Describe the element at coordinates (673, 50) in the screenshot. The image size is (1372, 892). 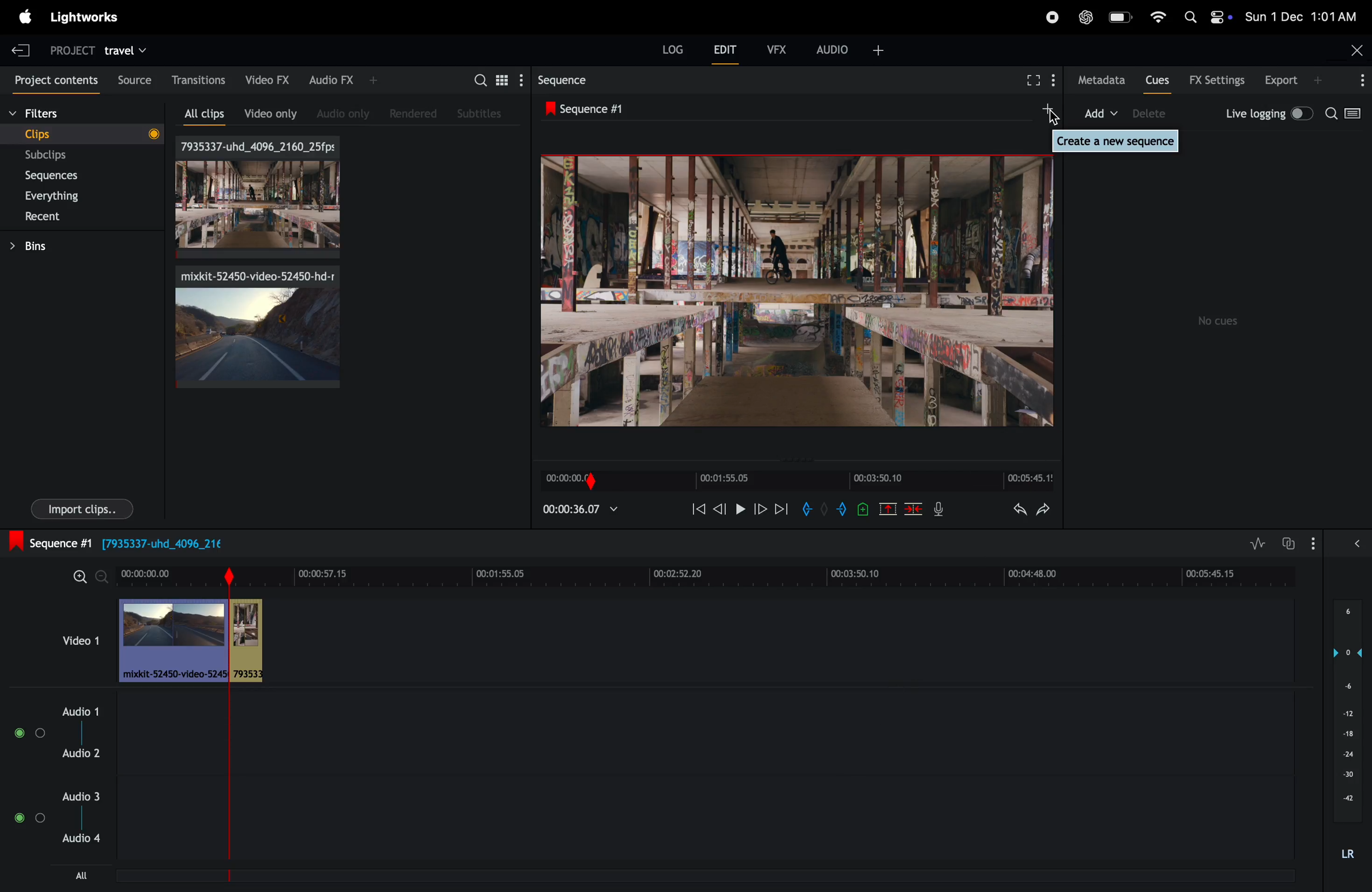
I see `LOG` at that location.